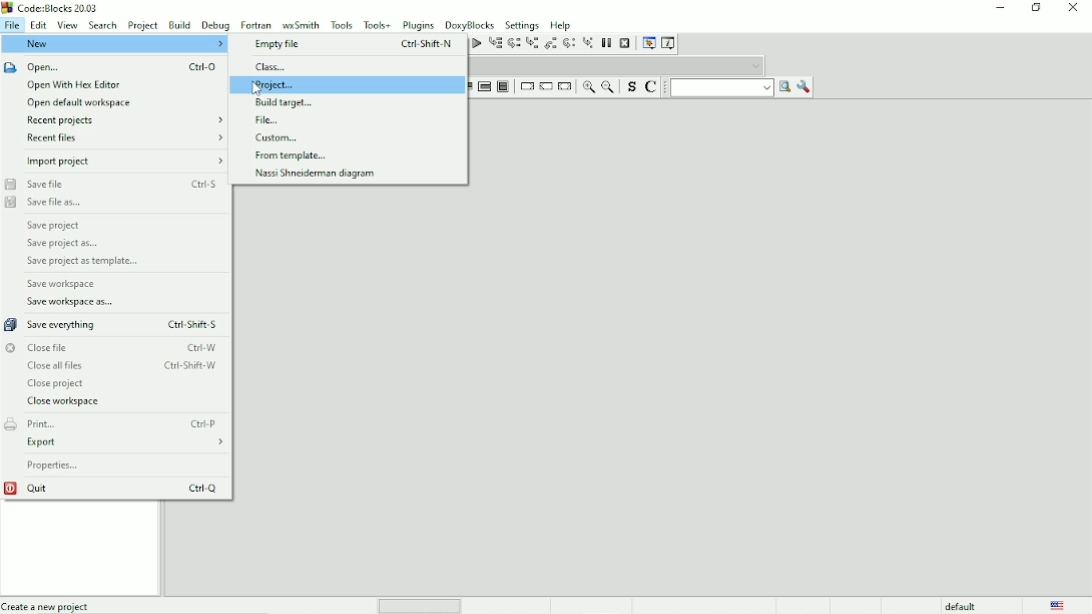  Describe the element at coordinates (289, 102) in the screenshot. I see `Build target` at that location.